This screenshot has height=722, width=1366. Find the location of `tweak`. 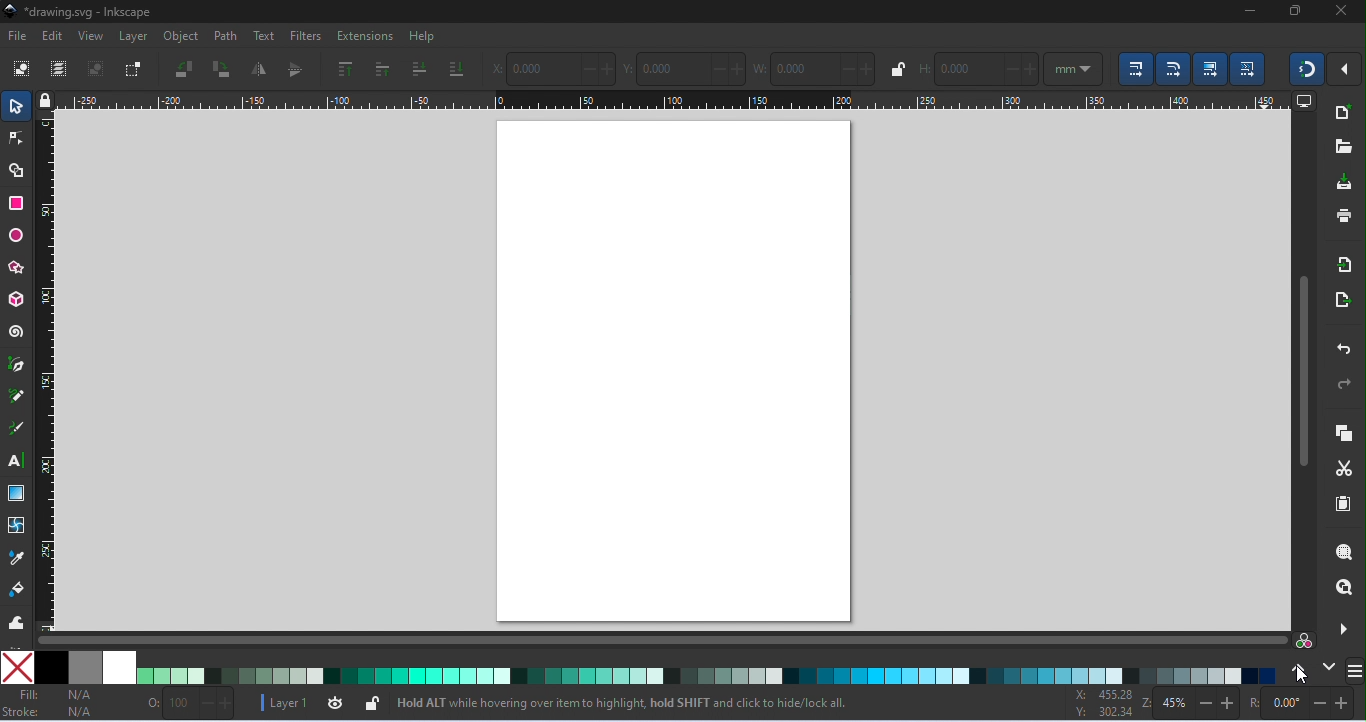

tweak is located at coordinates (16, 622).